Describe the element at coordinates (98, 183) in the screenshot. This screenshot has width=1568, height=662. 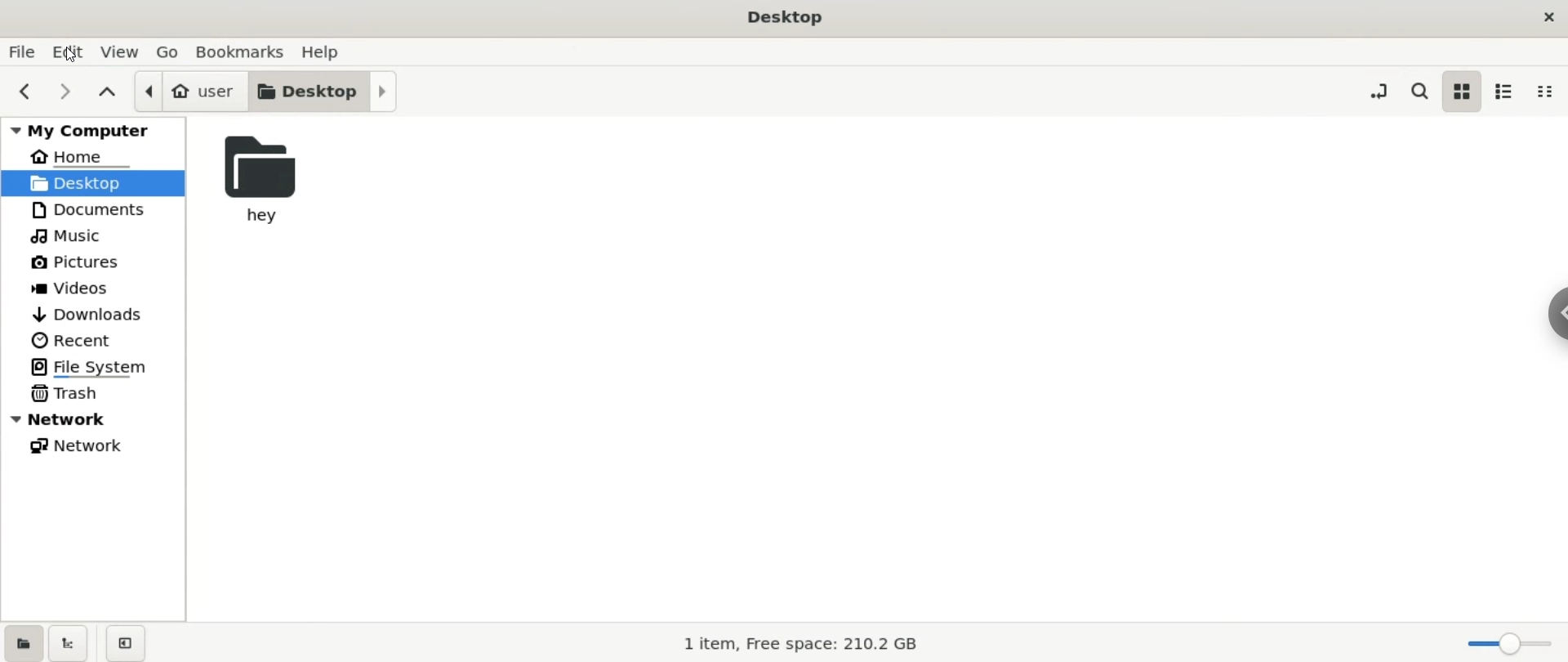
I see `desktop` at that location.